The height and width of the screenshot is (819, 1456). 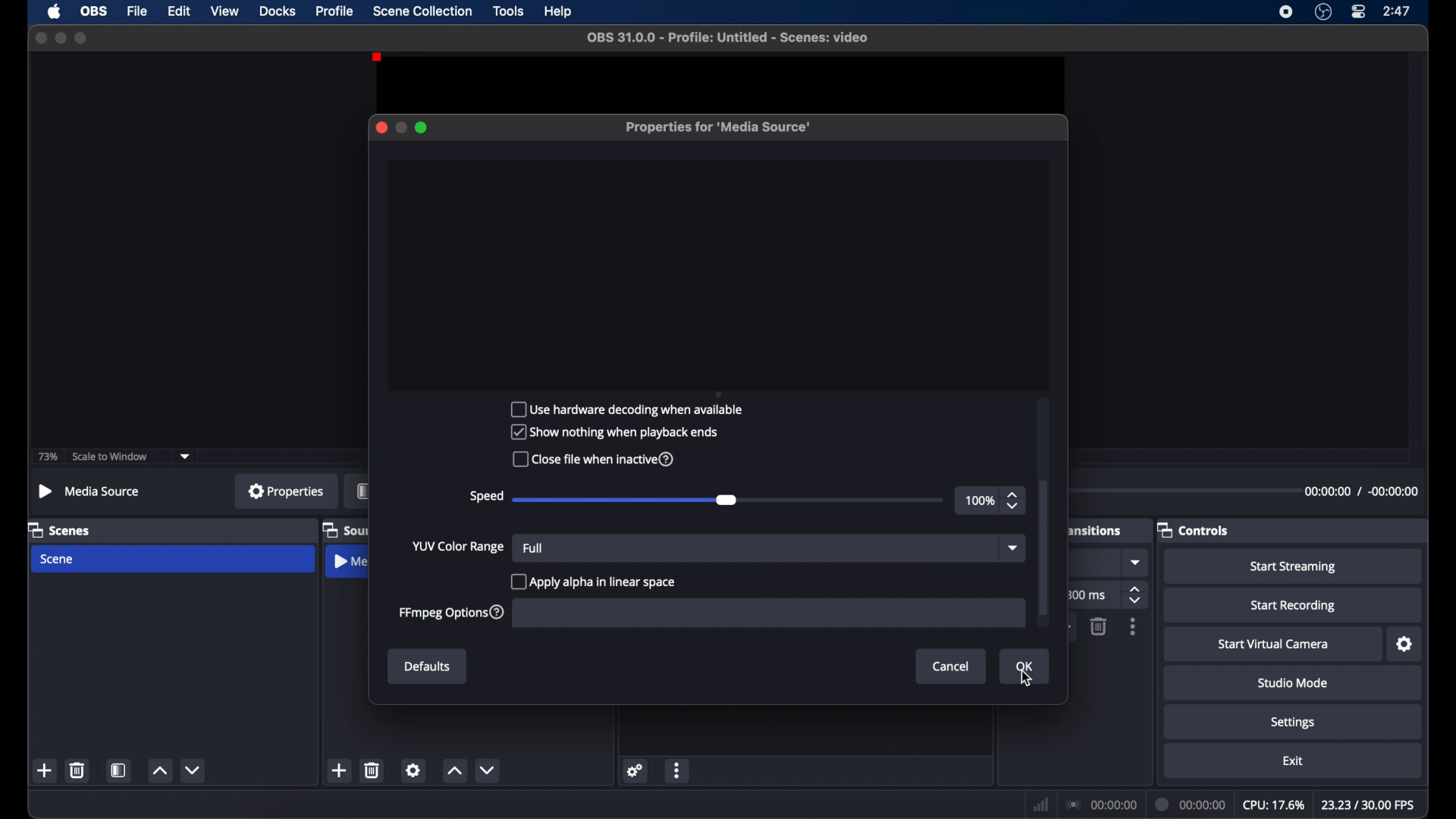 I want to click on network, so click(x=1040, y=805).